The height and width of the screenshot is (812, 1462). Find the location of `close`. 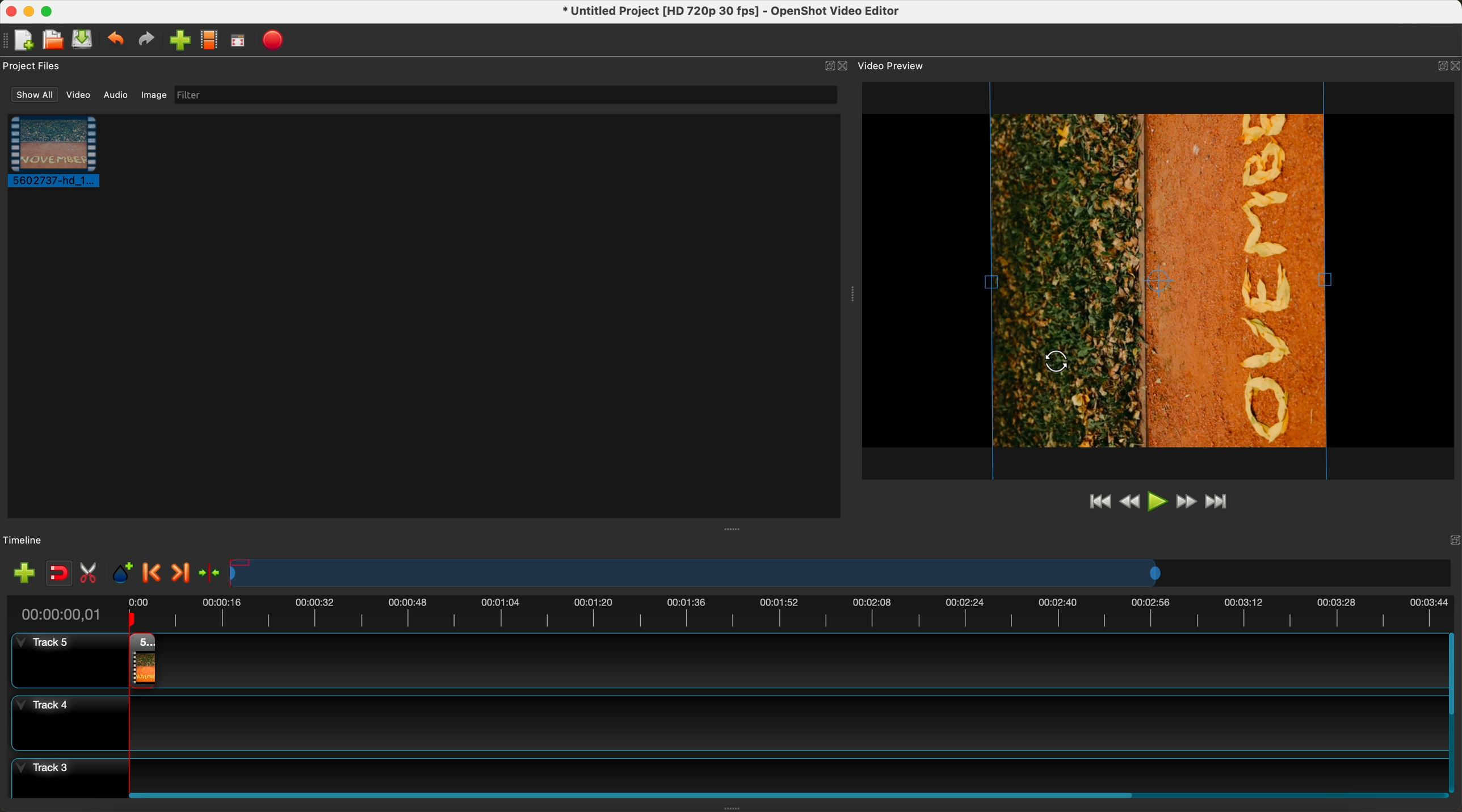

close is located at coordinates (845, 67).